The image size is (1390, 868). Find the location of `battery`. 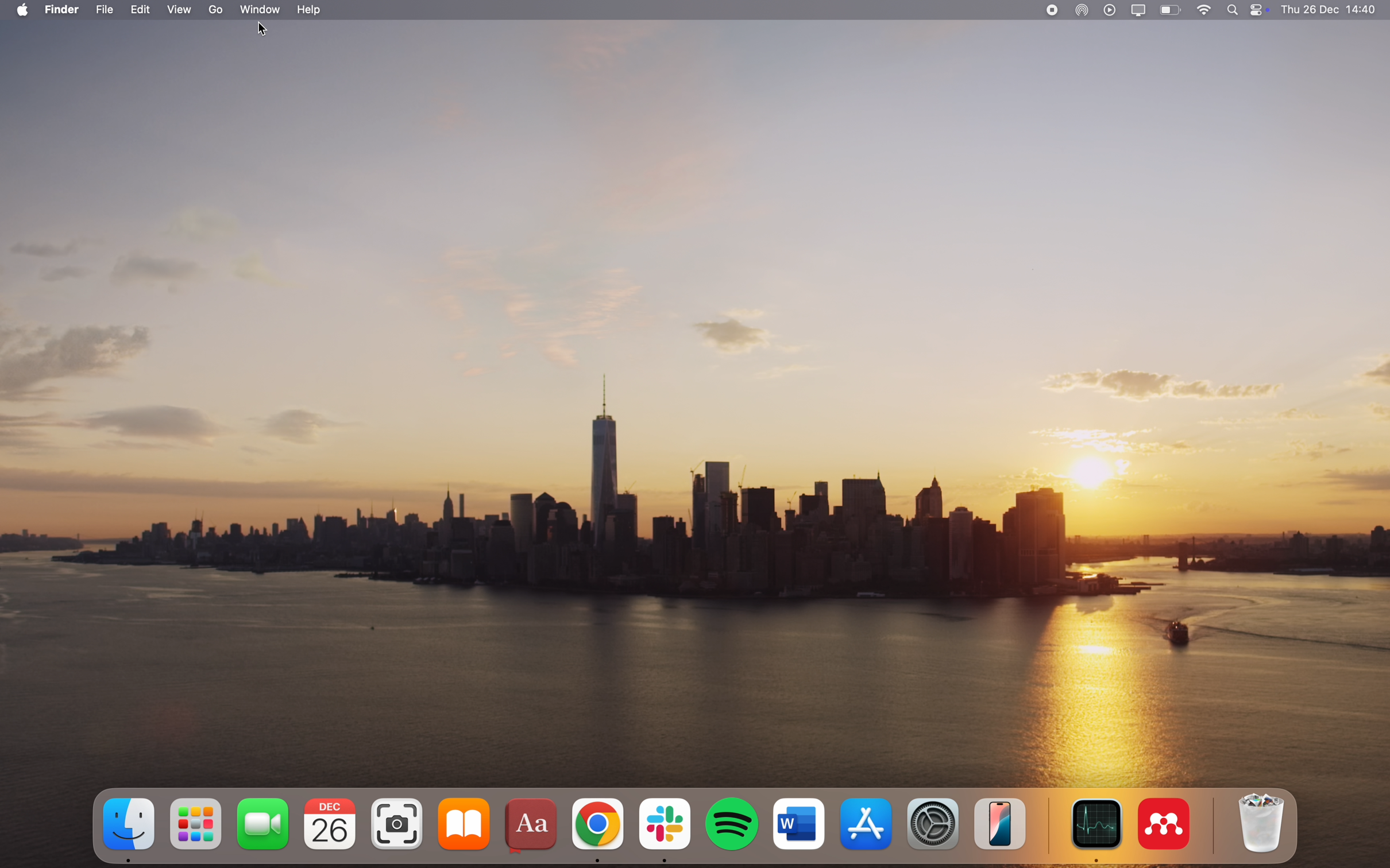

battery is located at coordinates (1169, 10).